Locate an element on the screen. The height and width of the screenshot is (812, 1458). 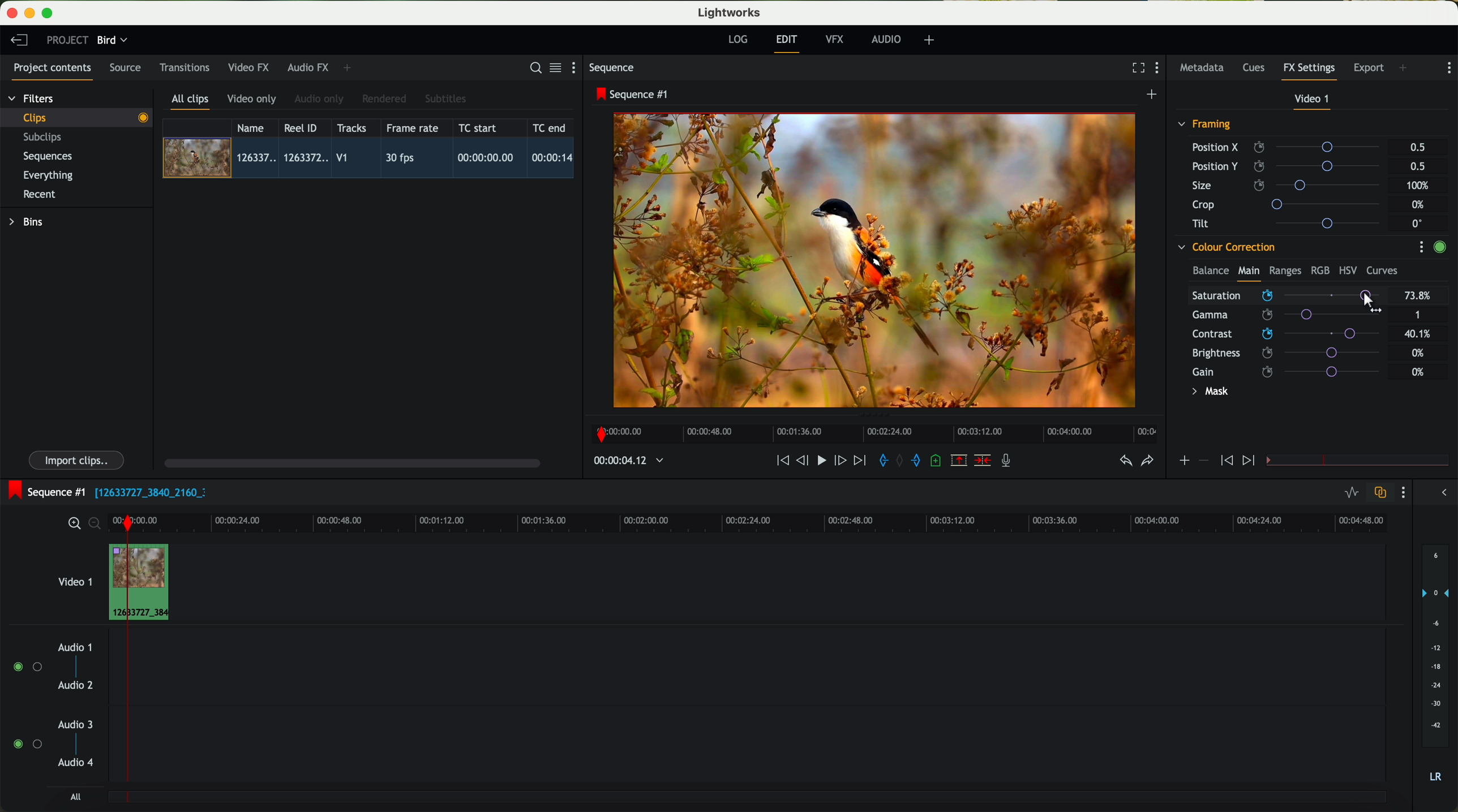
0% is located at coordinates (1420, 205).